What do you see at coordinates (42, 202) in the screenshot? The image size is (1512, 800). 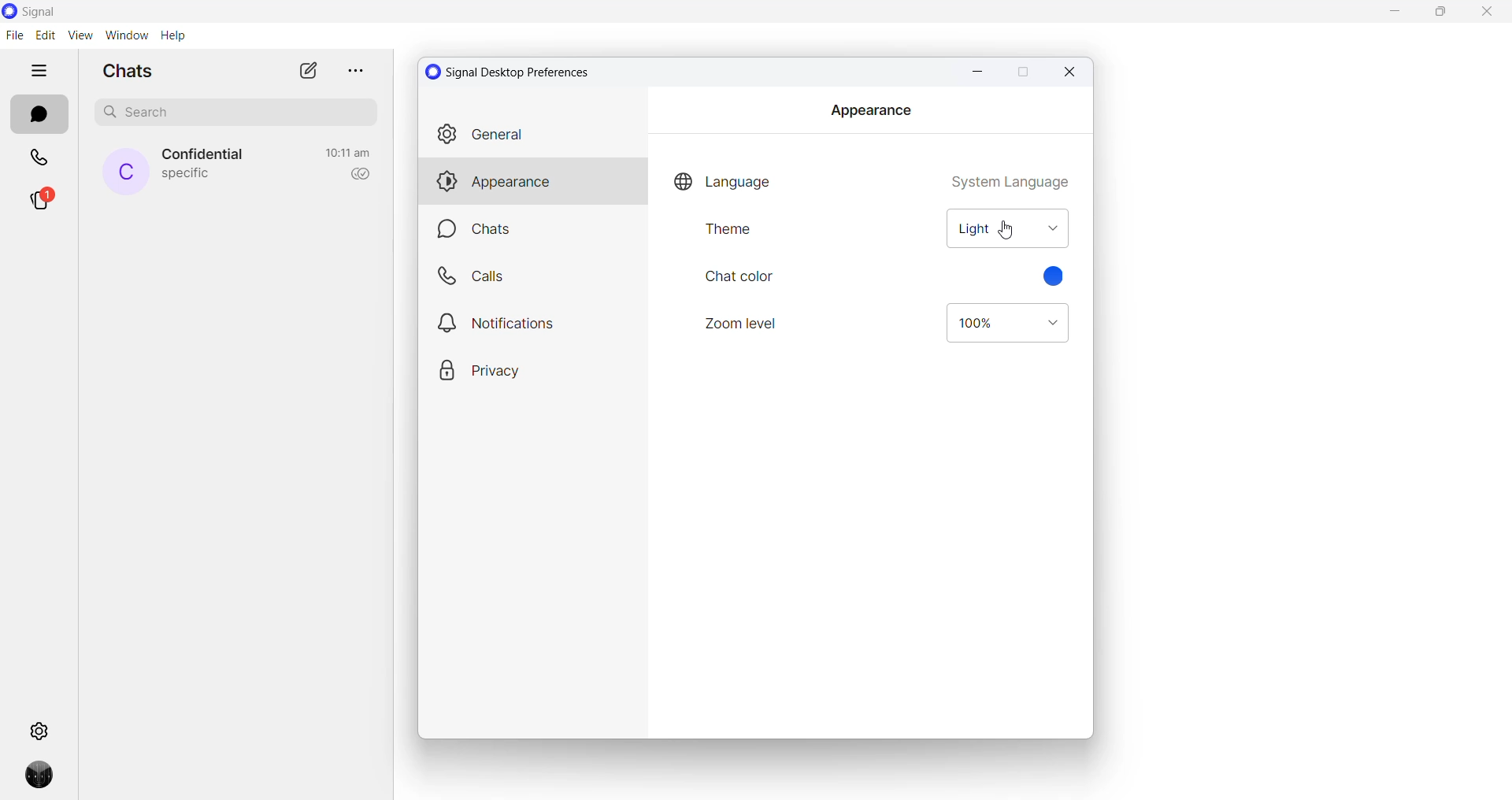 I see `stories` at bounding box center [42, 202].